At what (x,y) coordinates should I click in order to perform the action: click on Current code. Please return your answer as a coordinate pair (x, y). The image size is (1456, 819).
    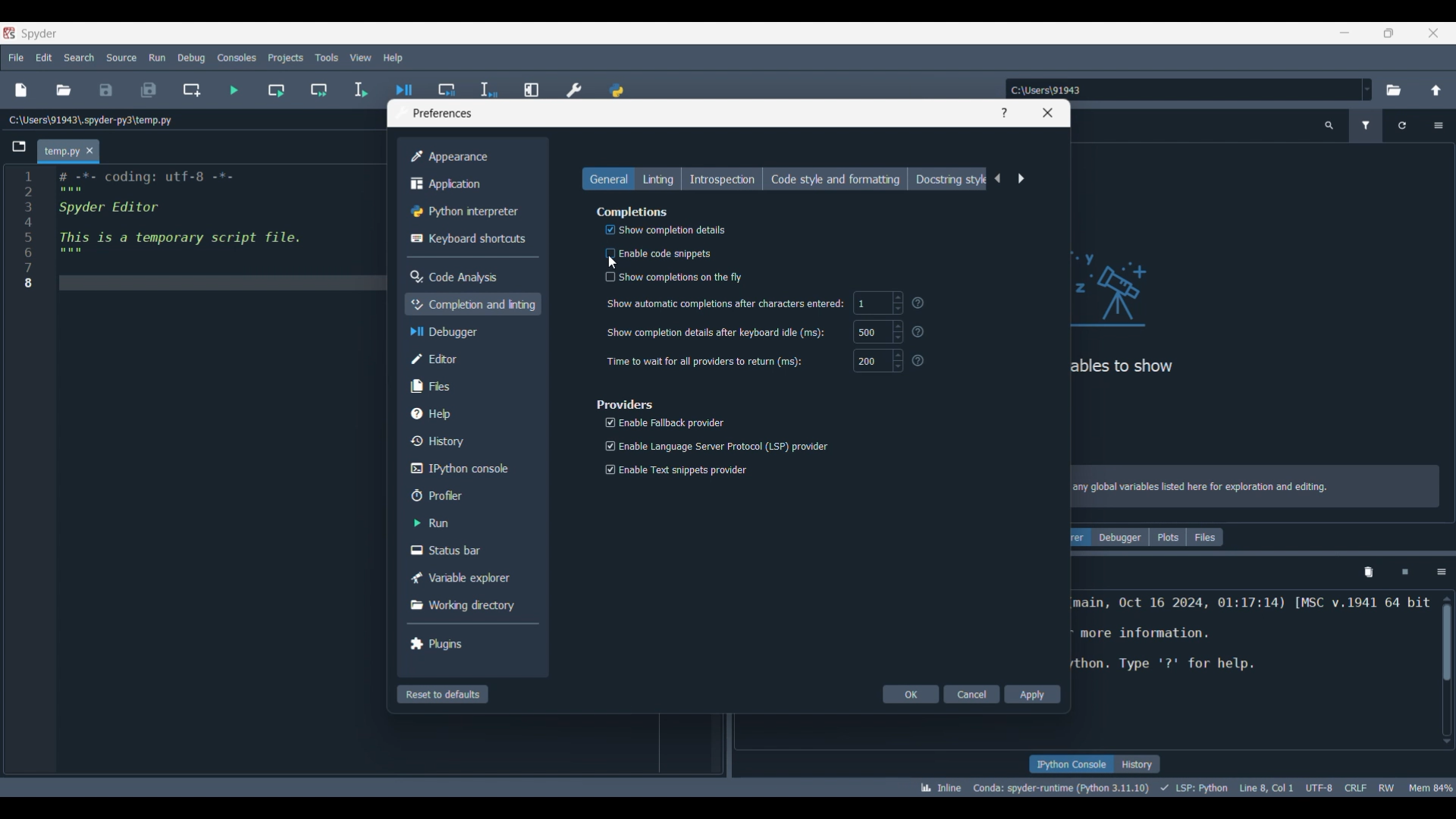
    Looking at the image, I should click on (202, 228).